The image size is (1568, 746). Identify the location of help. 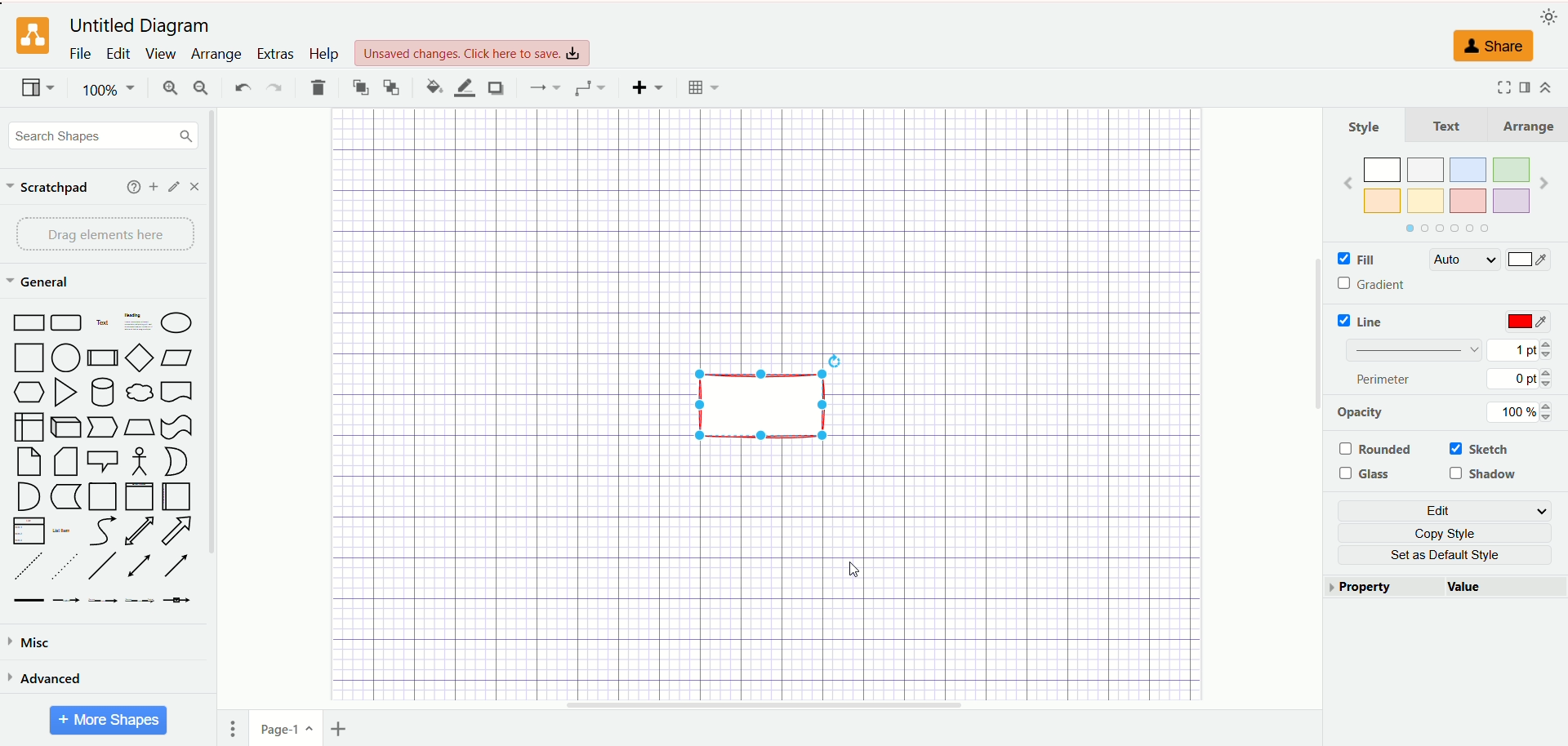
(323, 54).